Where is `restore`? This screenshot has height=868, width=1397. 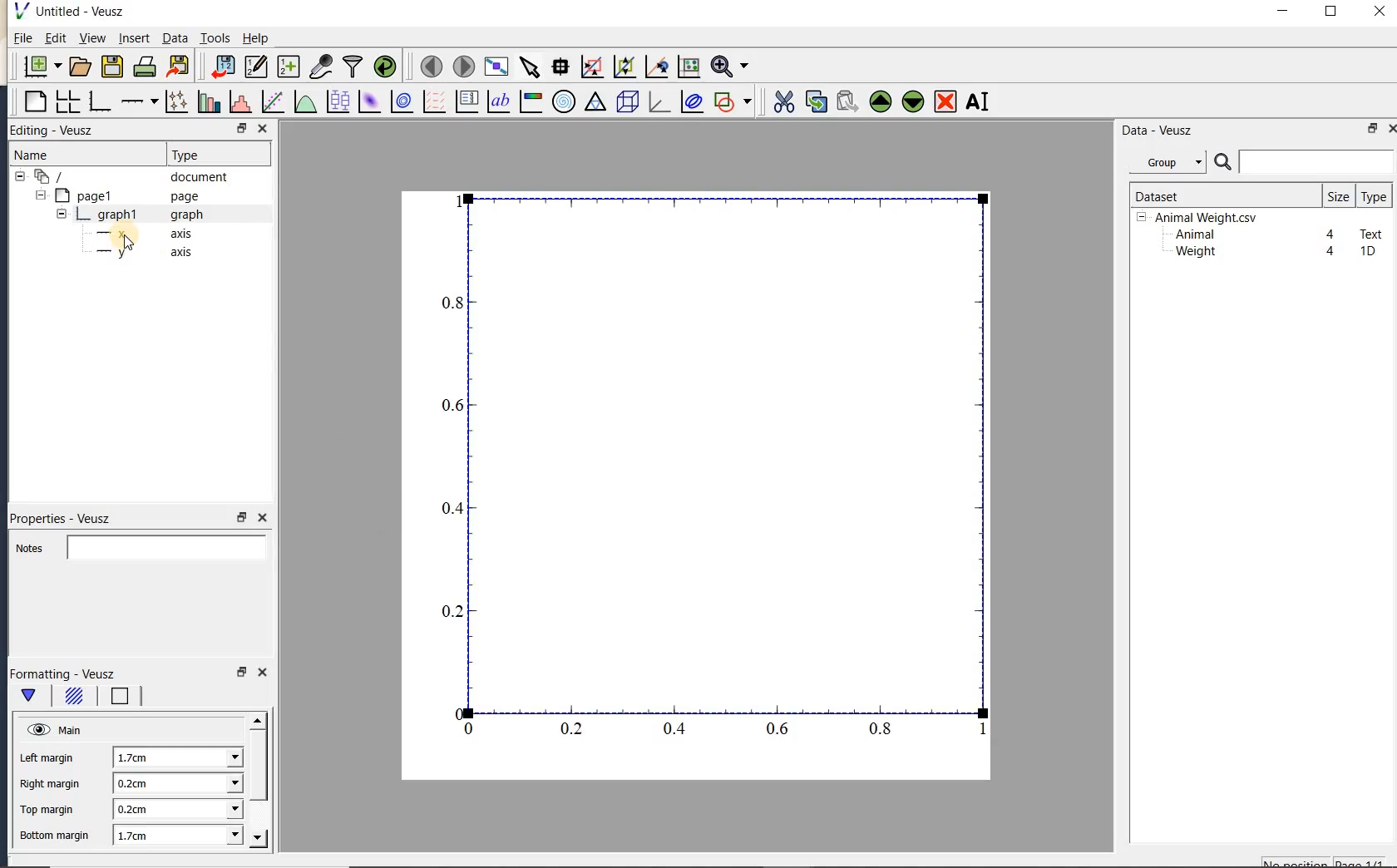
restore is located at coordinates (240, 518).